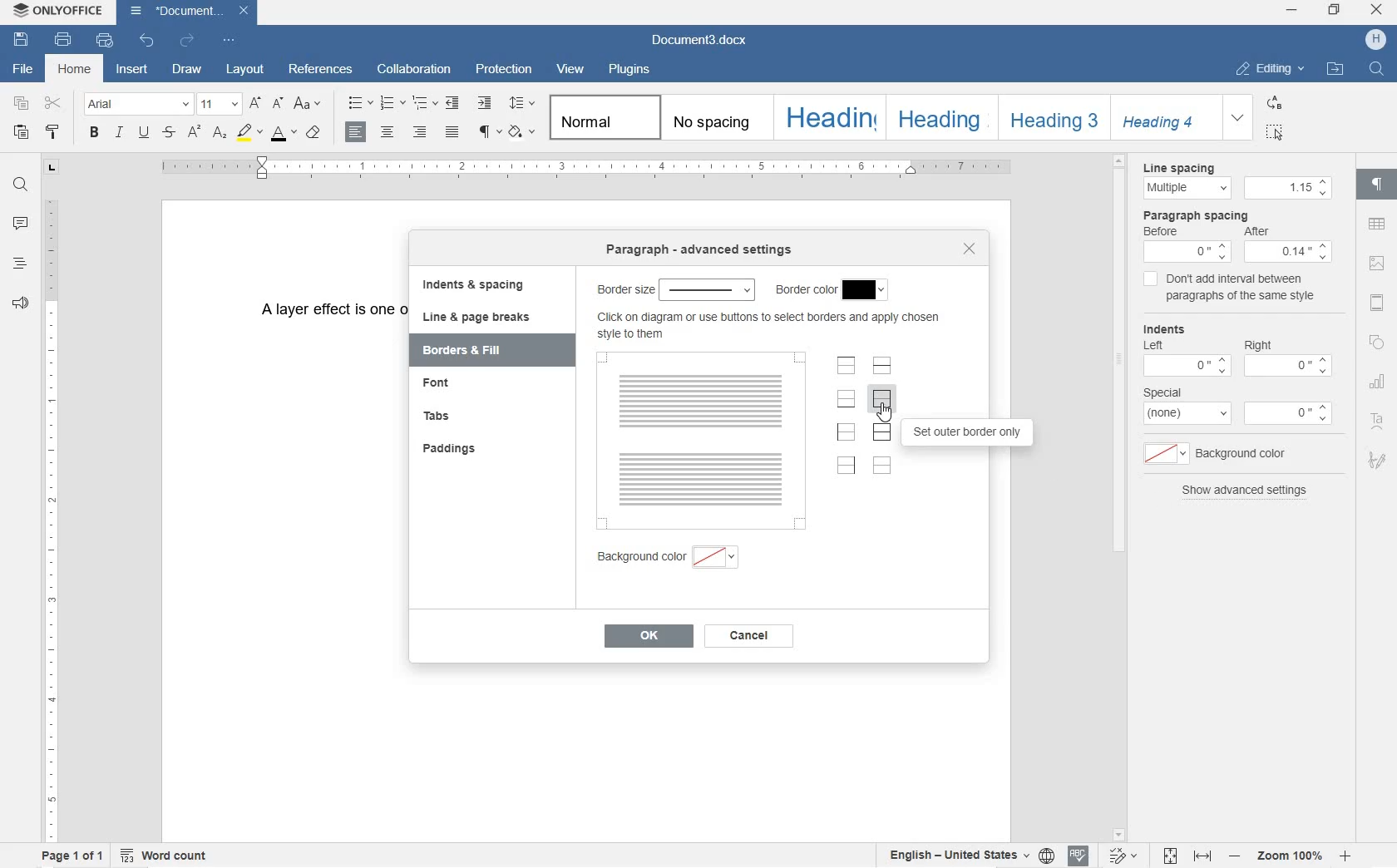 Image resolution: width=1397 pixels, height=868 pixels. I want to click on INCREASE INDENT, so click(485, 104).